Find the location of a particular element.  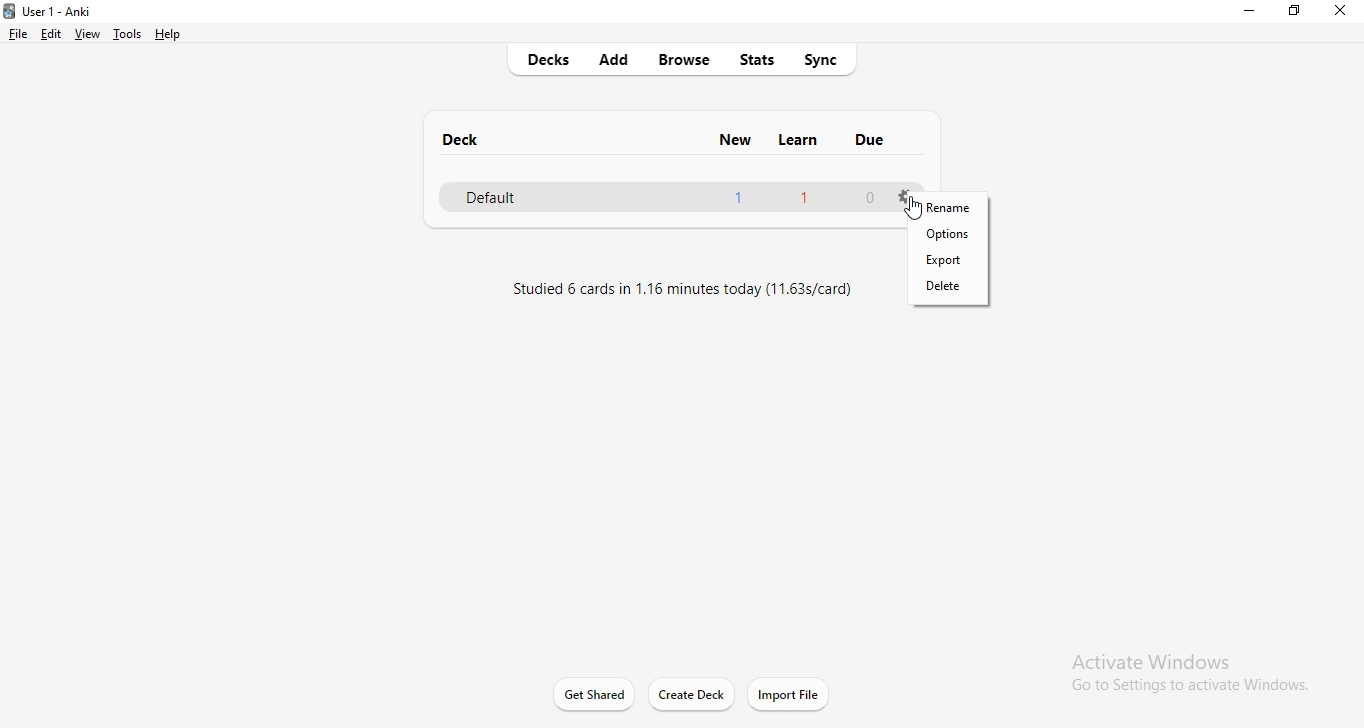

view is located at coordinates (86, 34).